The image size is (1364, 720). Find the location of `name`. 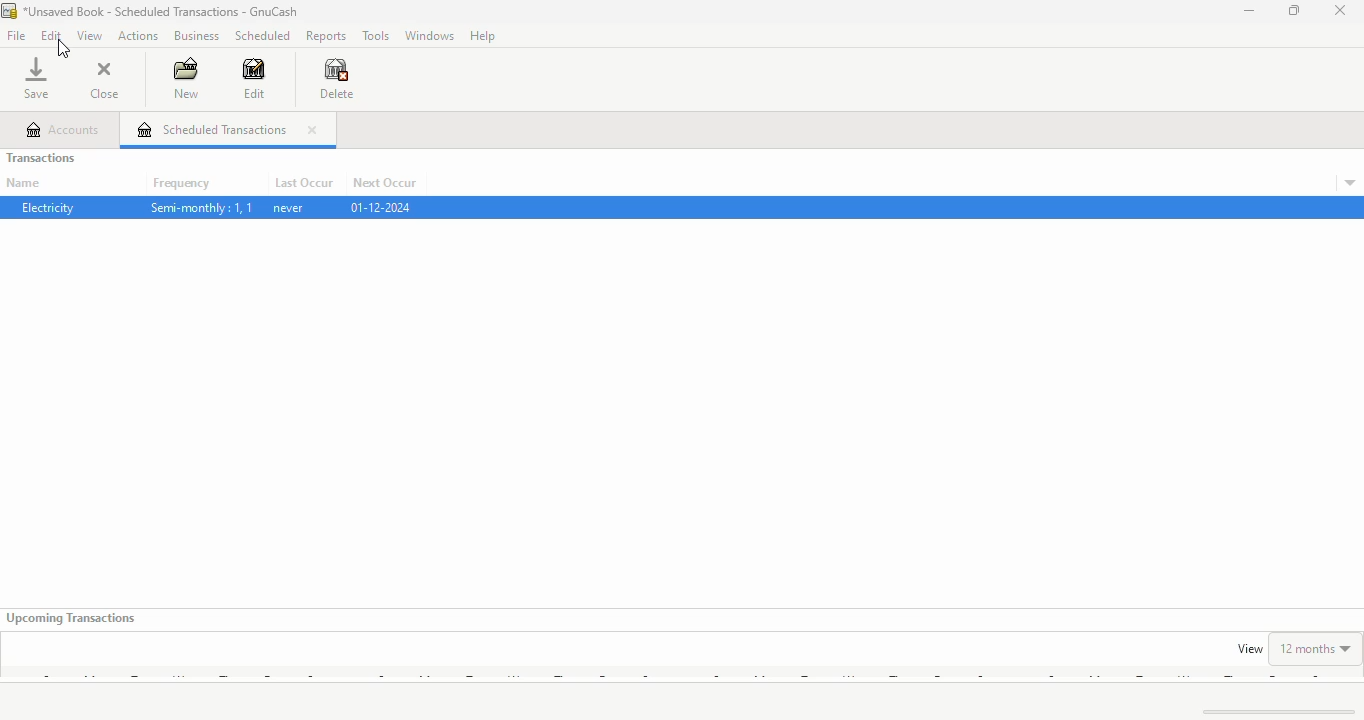

name is located at coordinates (23, 183).